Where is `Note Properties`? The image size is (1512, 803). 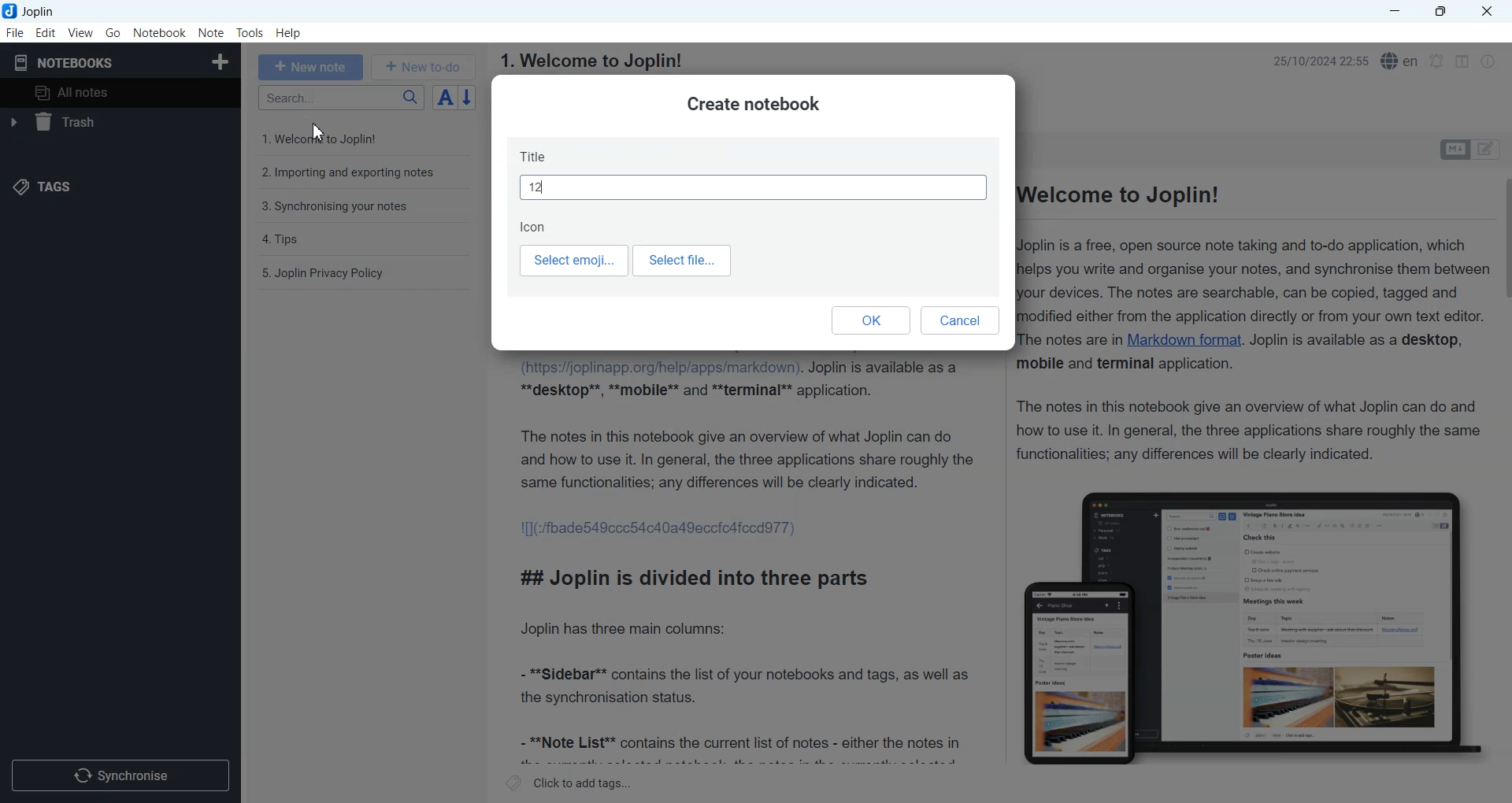
Note Properties is located at coordinates (1488, 61).